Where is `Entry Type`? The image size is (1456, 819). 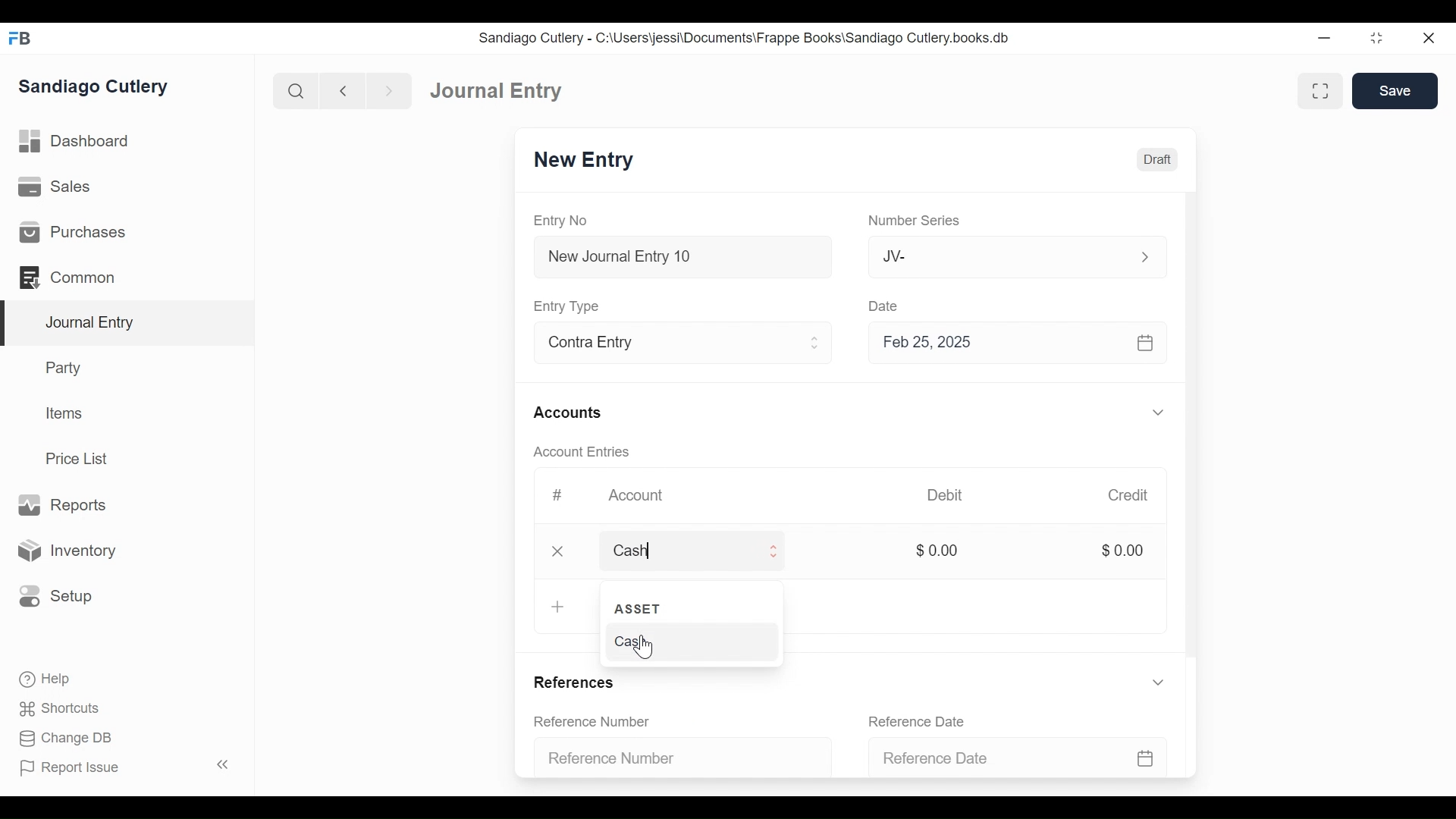
Entry Type is located at coordinates (571, 306).